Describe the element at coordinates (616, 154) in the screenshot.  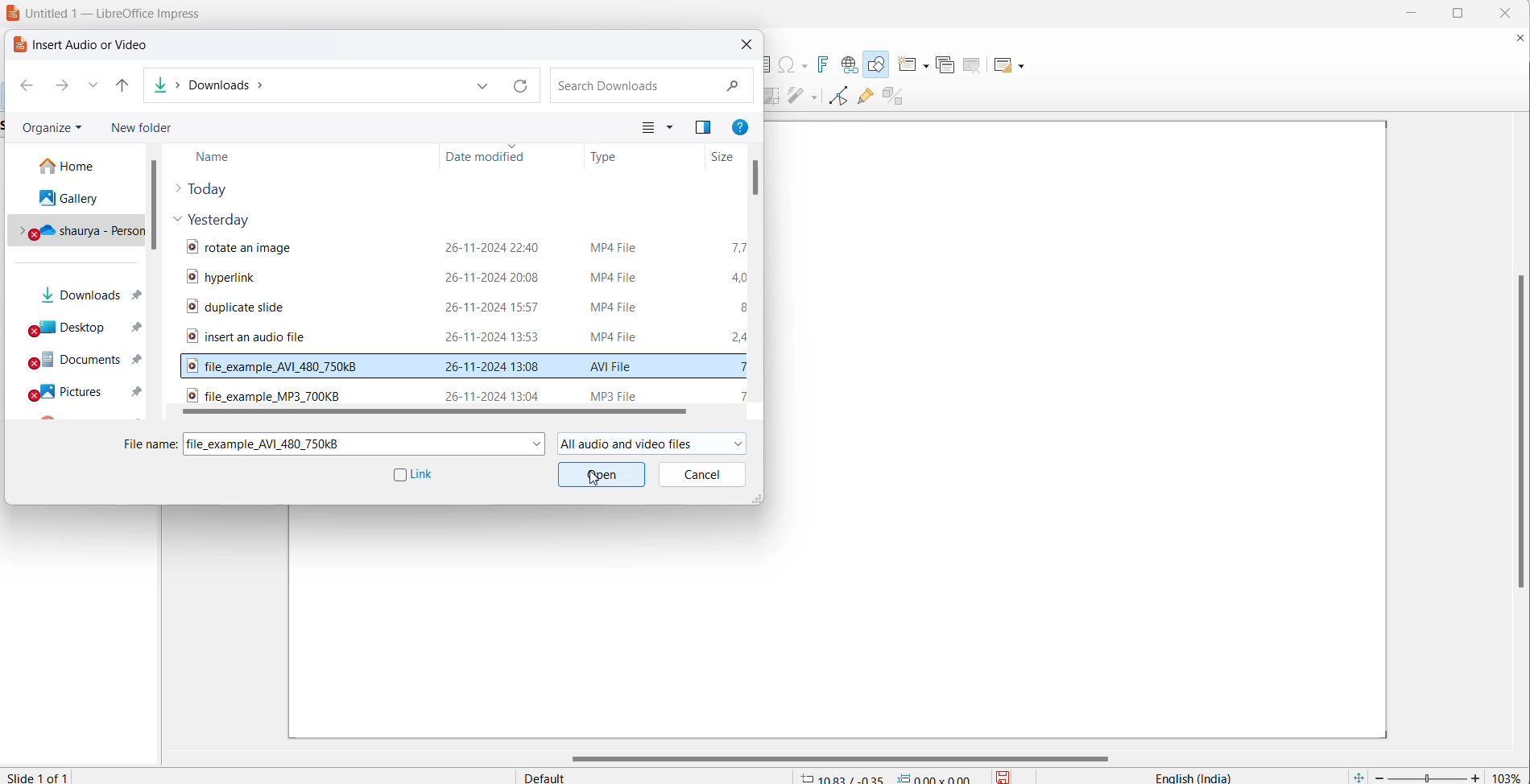
I see `file type heading` at that location.